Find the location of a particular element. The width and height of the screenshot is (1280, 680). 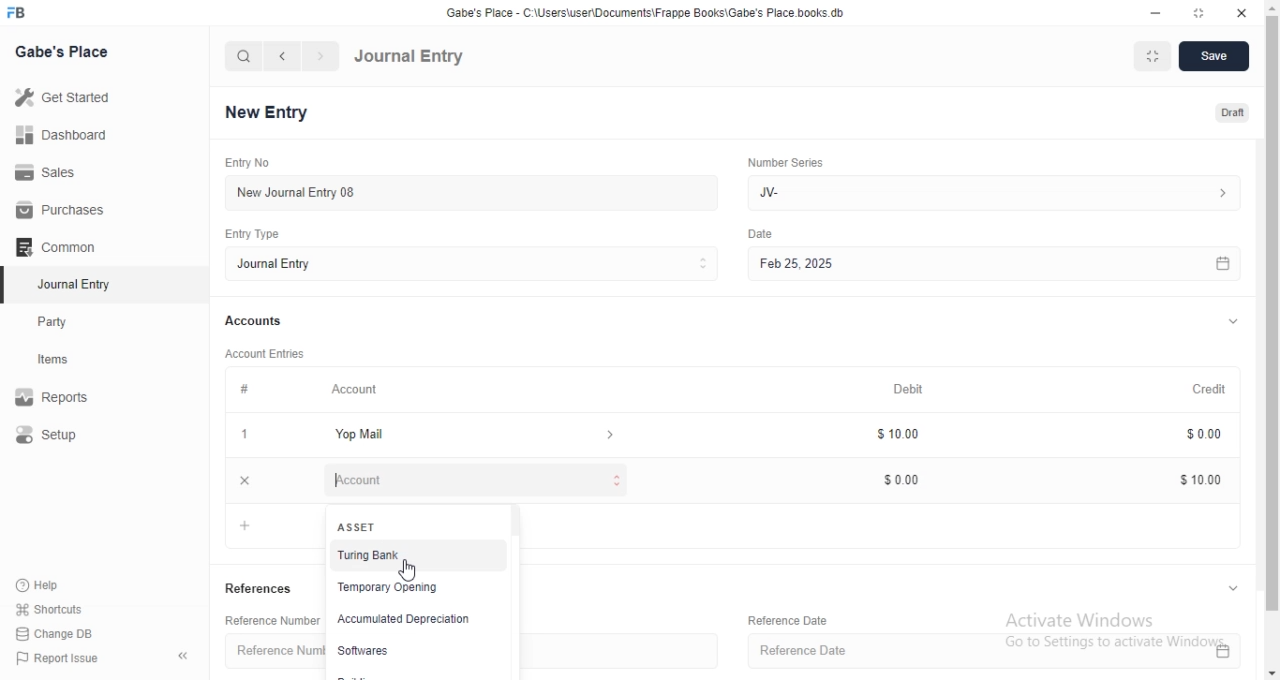

Account is located at coordinates (478, 481).